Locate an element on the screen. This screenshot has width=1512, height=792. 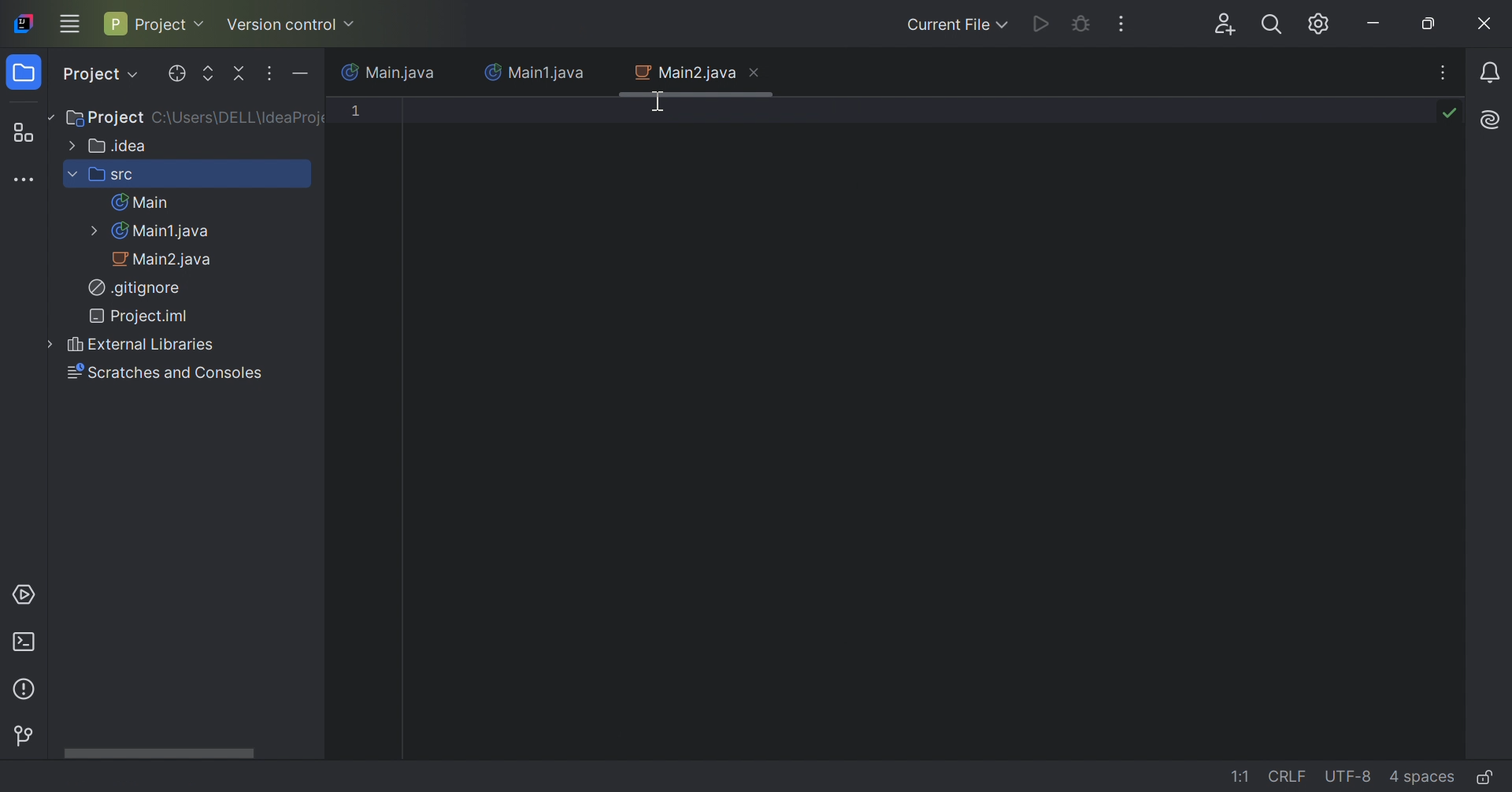
Options is located at coordinates (270, 74).